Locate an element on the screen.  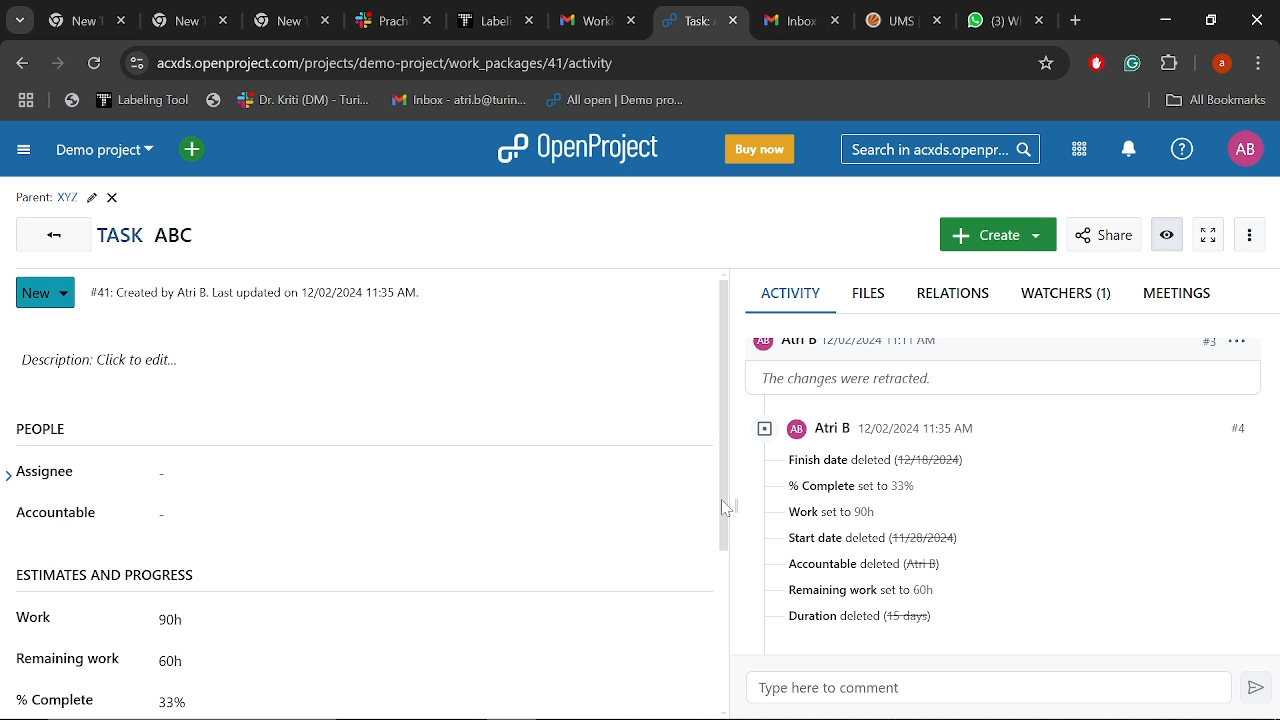
Unwatch work package is located at coordinates (1169, 235).